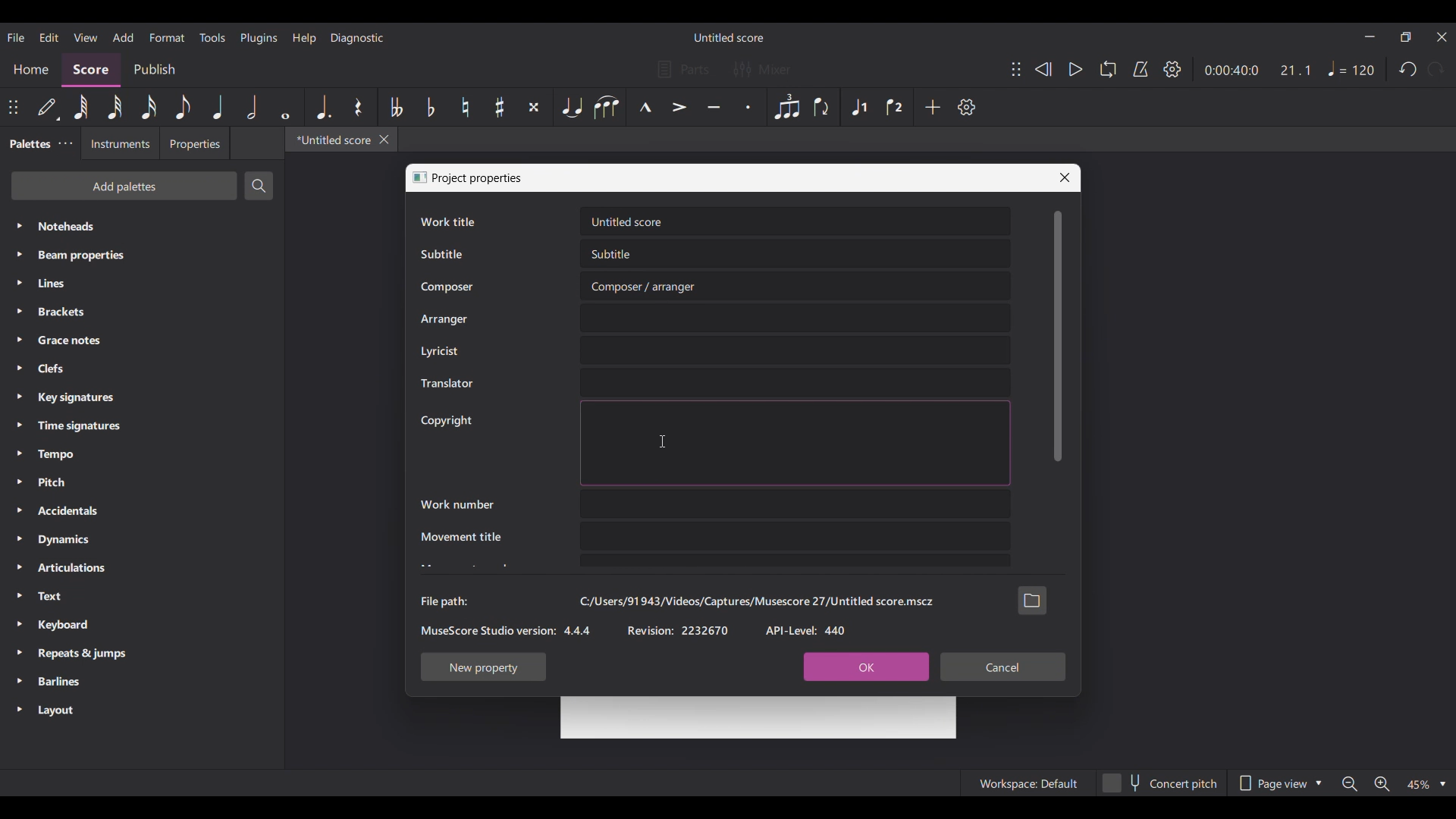  Describe the element at coordinates (466, 107) in the screenshot. I see `Toggle natural` at that location.